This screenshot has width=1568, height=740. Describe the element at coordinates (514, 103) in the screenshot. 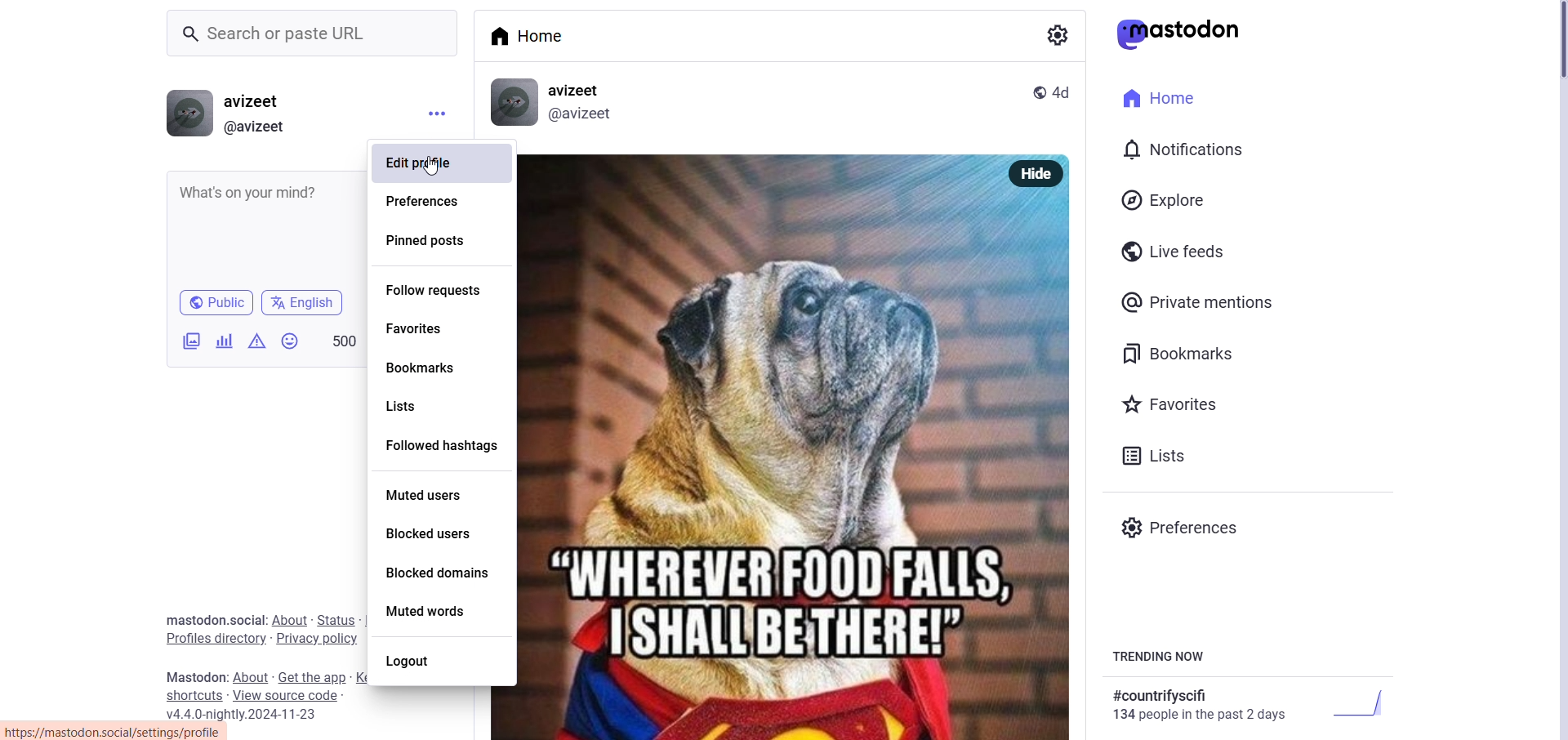

I see `display picture` at that location.